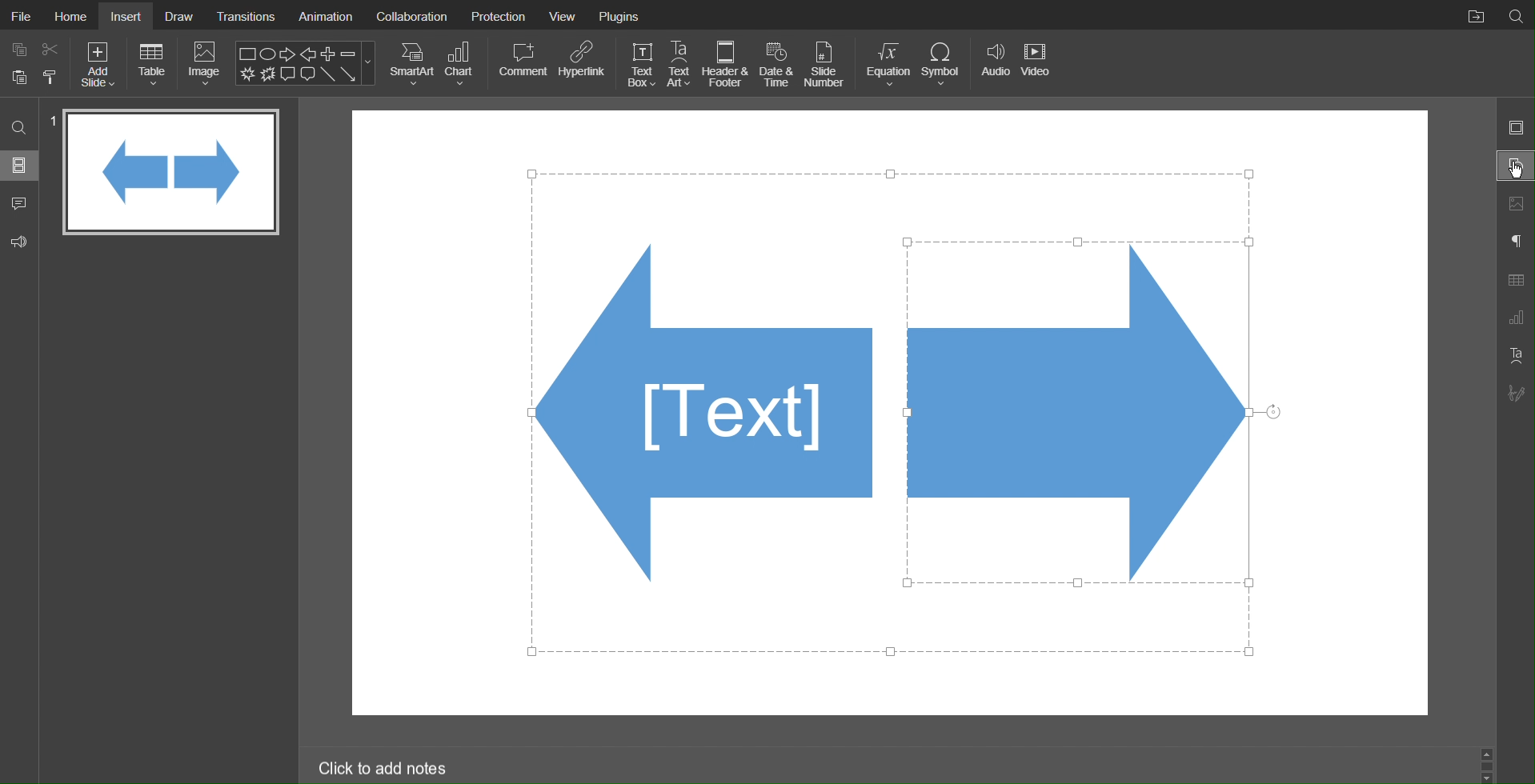 This screenshot has width=1535, height=784. I want to click on Draw, so click(179, 15).